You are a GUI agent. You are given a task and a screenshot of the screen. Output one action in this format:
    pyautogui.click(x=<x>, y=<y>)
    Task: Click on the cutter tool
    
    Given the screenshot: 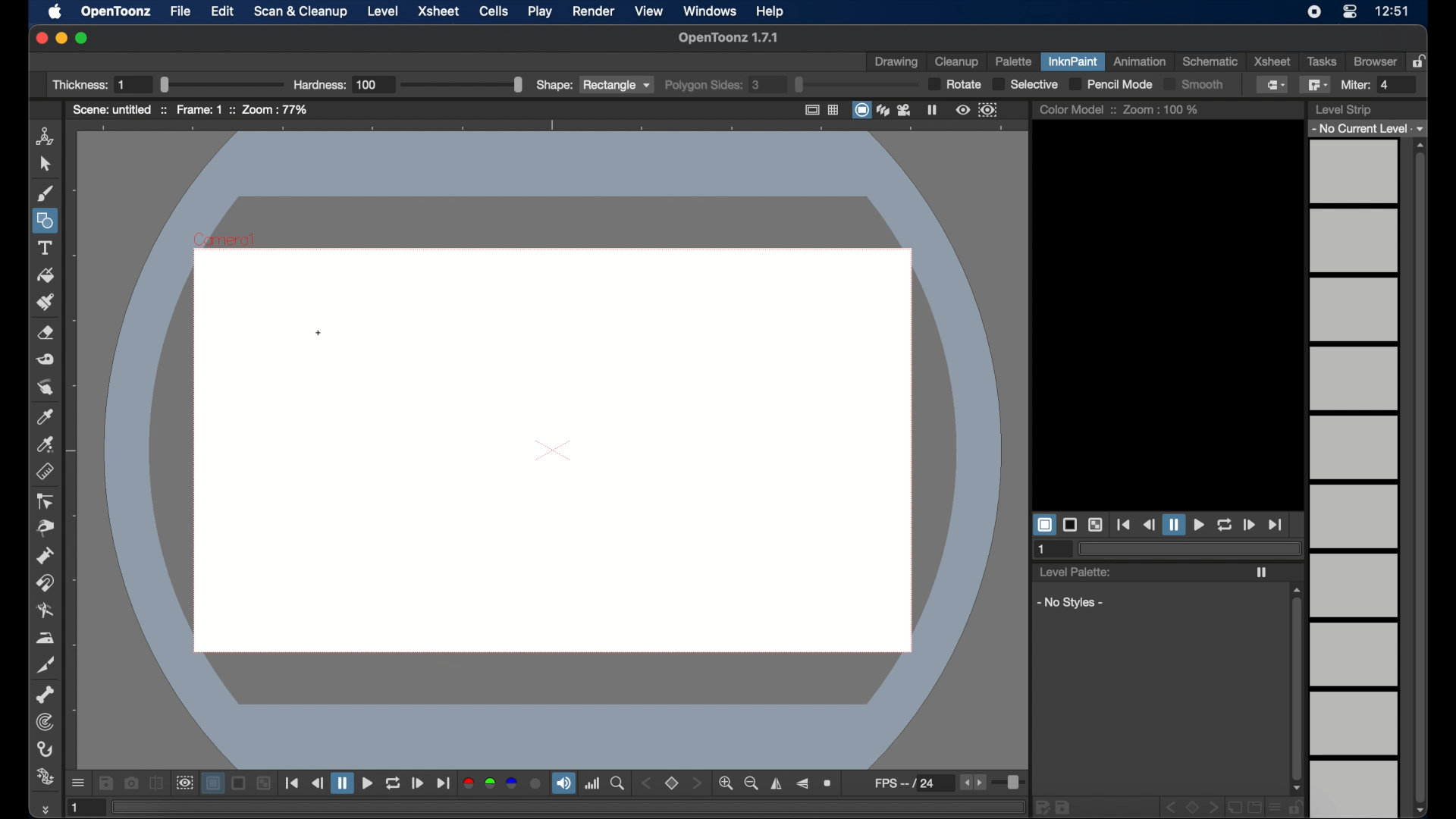 What is the action you would take?
    pyautogui.click(x=45, y=665)
    